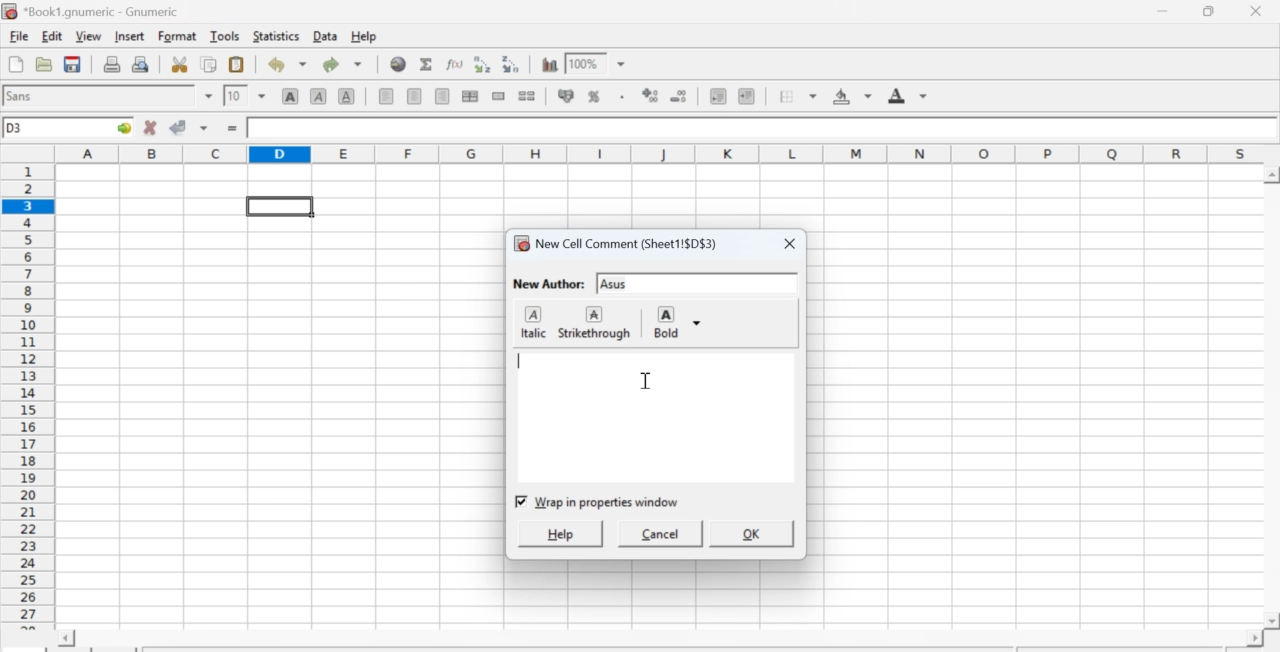 The image size is (1280, 652). What do you see at coordinates (64, 638) in the screenshot?
I see `scroll left` at bounding box center [64, 638].